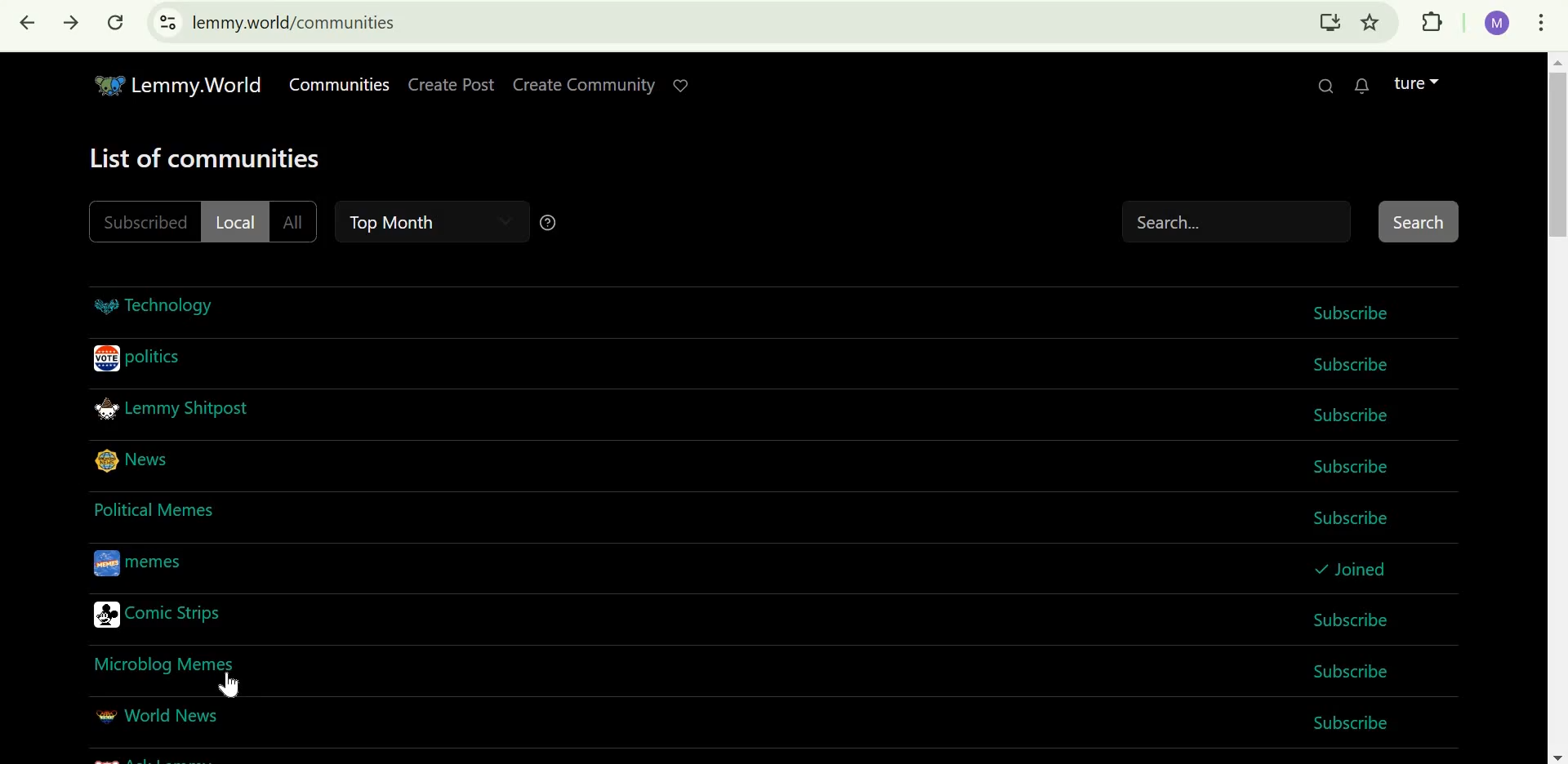  I want to click on subscribe, so click(1347, 670).